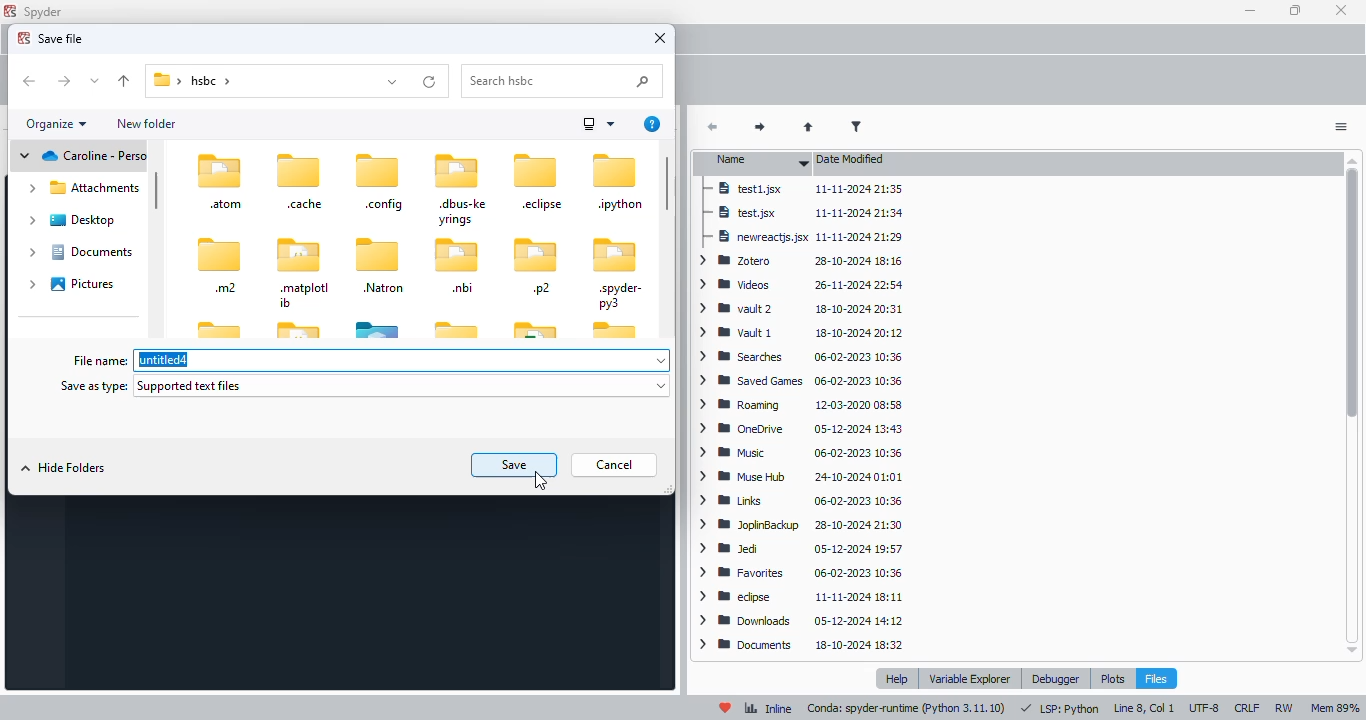 Image resolution: width=1366 pixels, height=720 pixels. What do you see at coordinates (1342, 11) in the screenshot?
I see `close` at bounding box center [1342, 11].